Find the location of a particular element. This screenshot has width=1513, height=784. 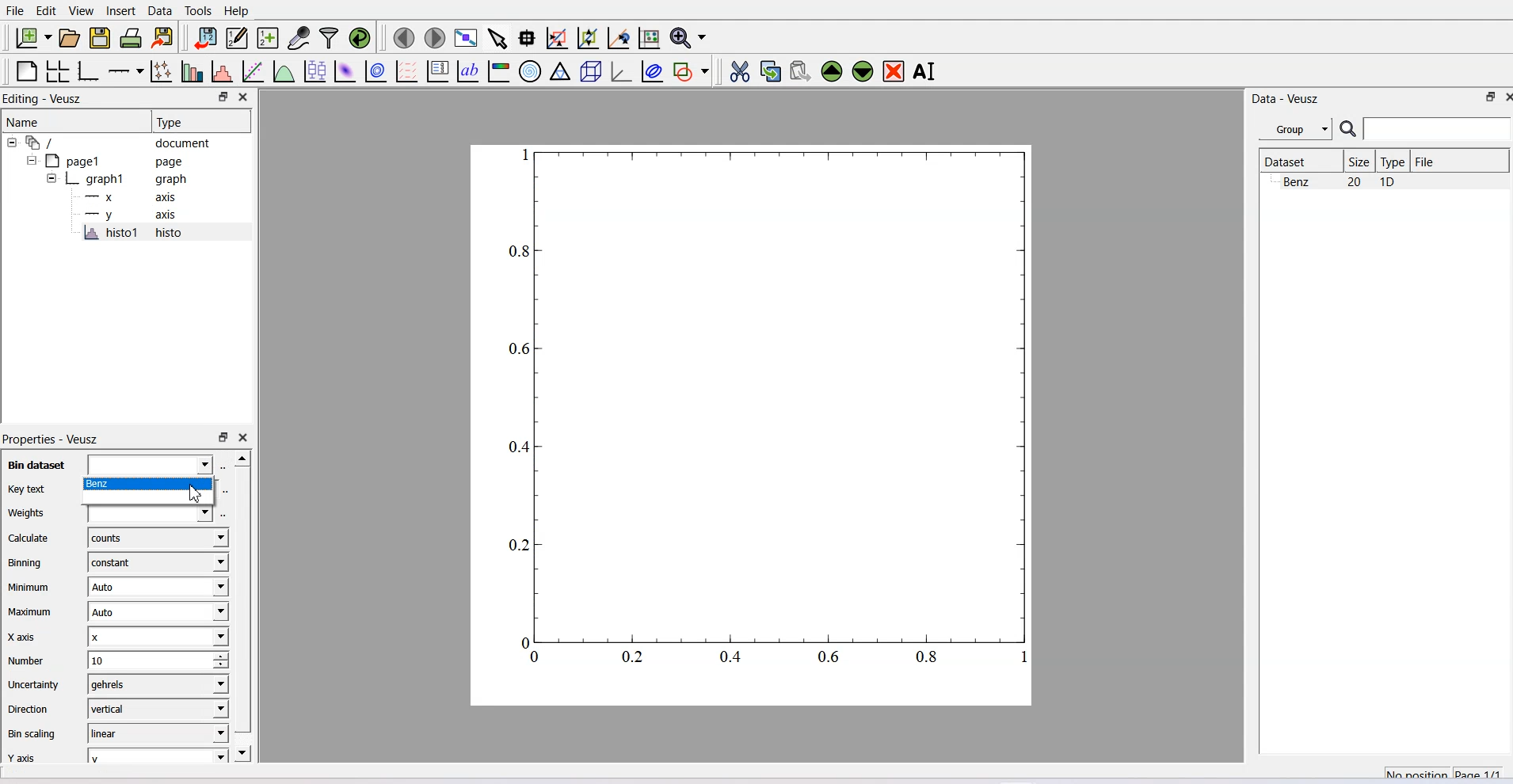

Recenter graph axes is located at coordinates (619, 37).